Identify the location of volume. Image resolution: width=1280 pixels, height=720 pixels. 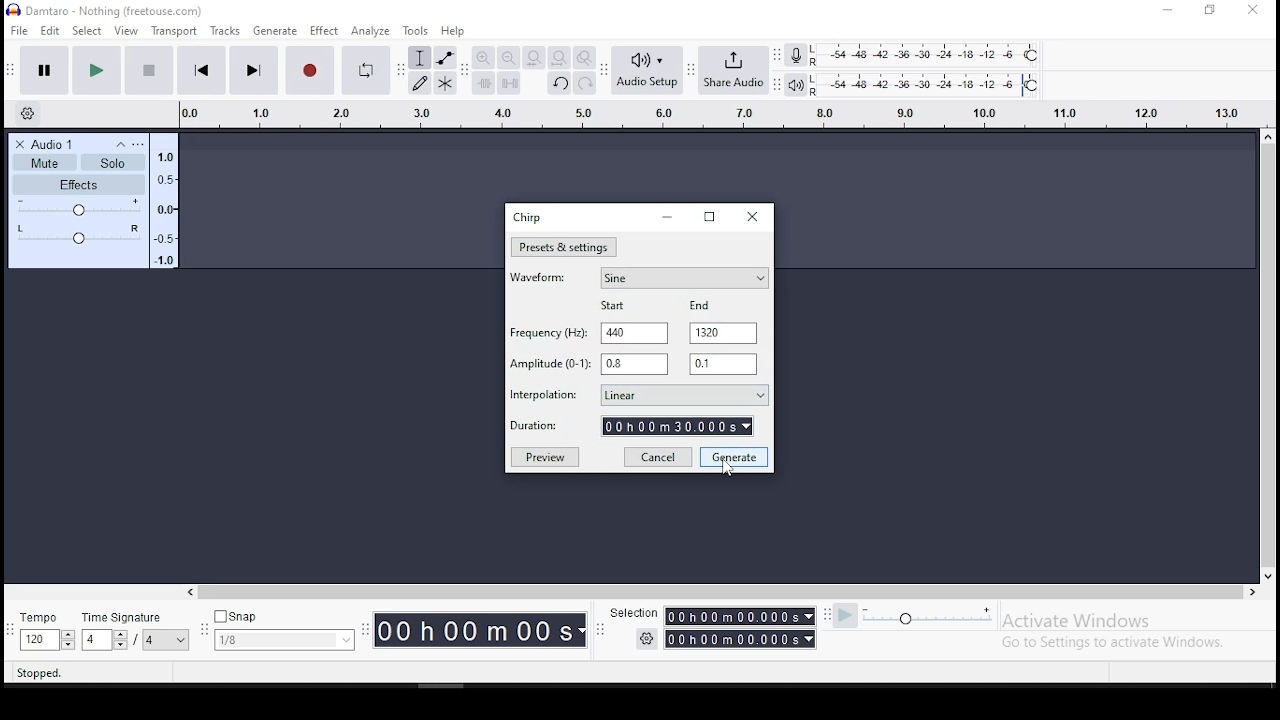
(80, 207).